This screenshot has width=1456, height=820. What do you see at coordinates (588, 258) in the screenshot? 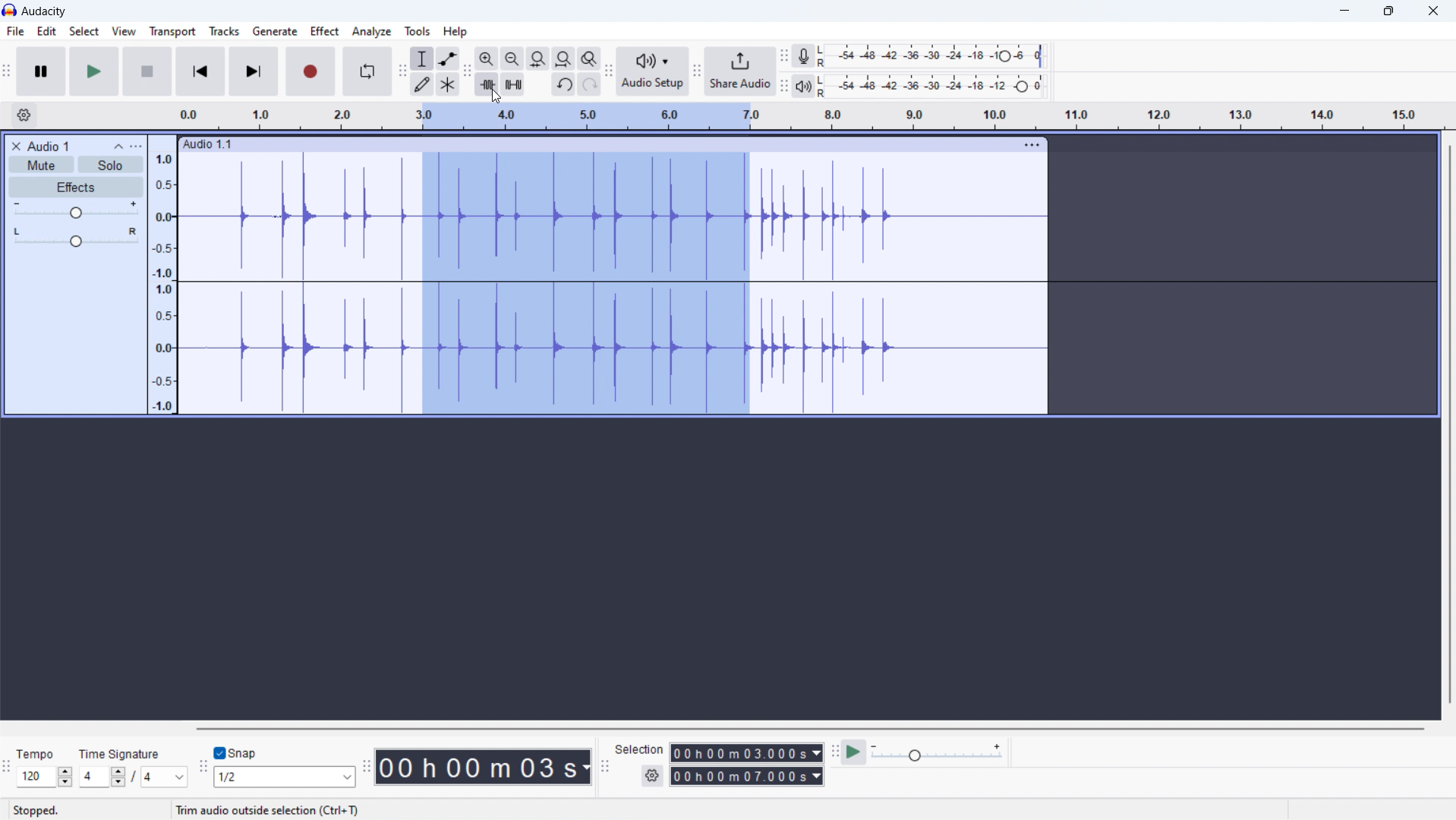
I see `3.0-7.0 timeline (part of the track selected)` at bounding box center [588, 258].